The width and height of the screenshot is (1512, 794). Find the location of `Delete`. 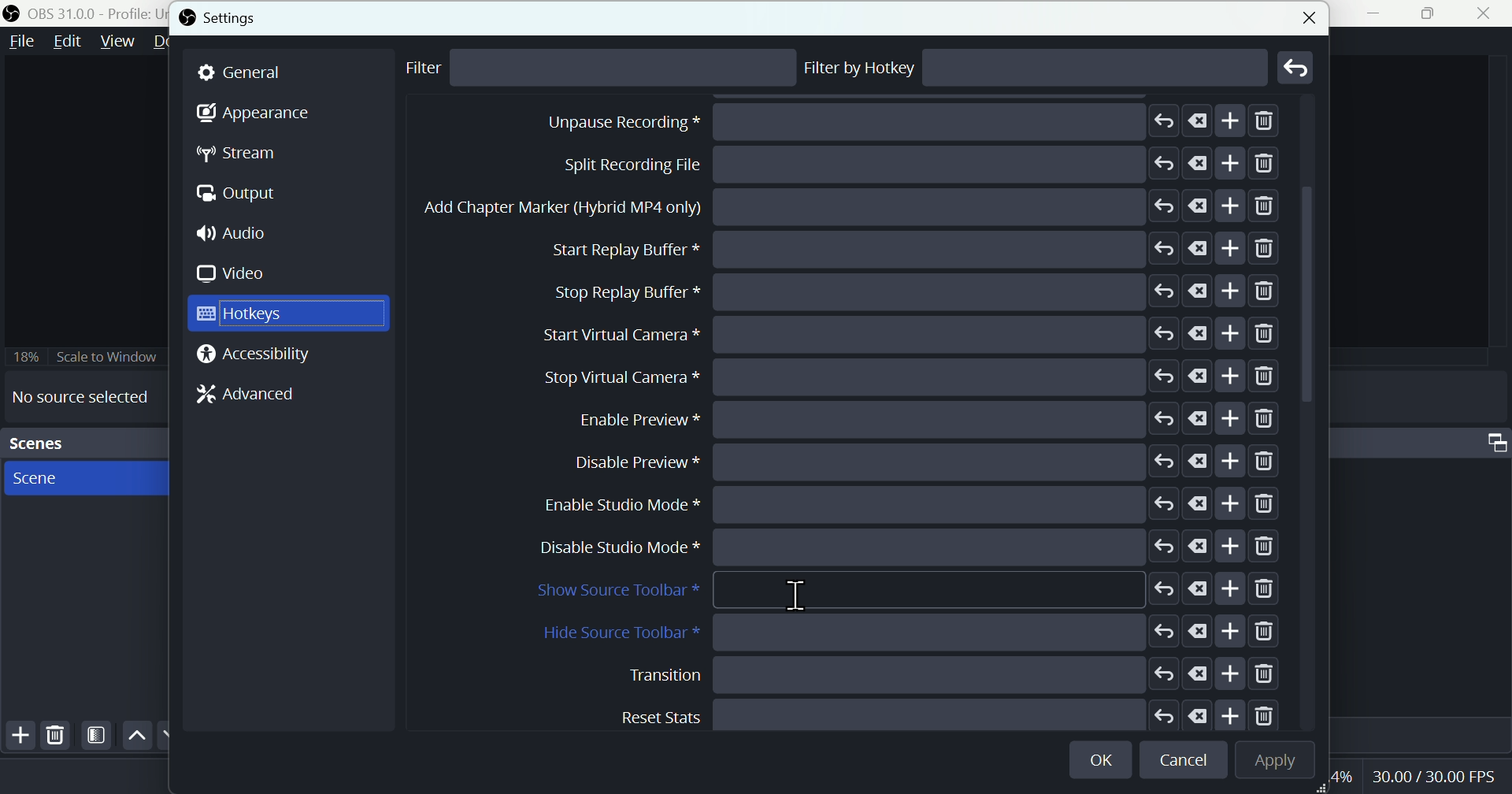

Delete is located at coordinates (56, 735).